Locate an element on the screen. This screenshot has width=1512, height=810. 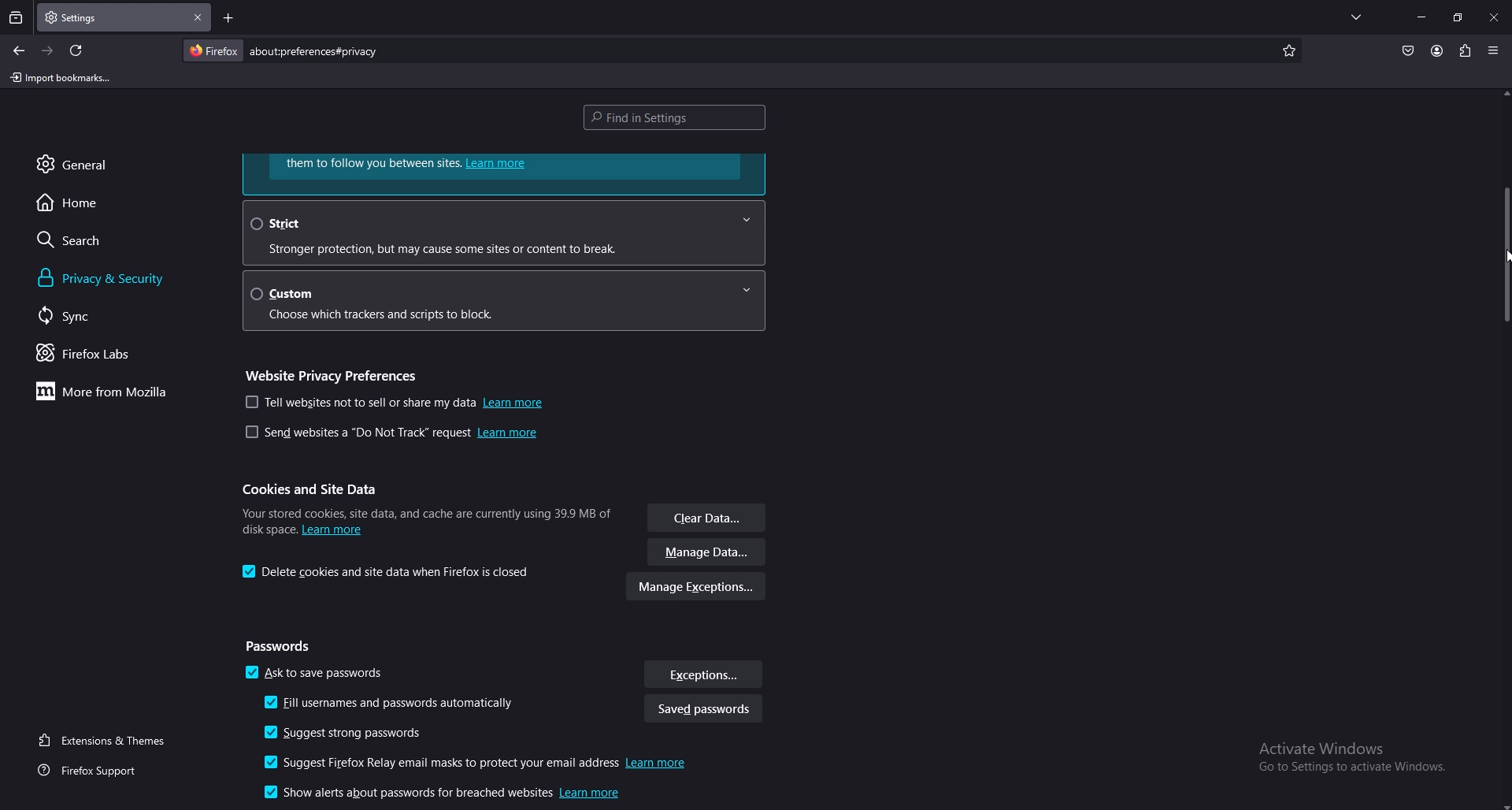
minimize is located at coordinates (1423, 17).